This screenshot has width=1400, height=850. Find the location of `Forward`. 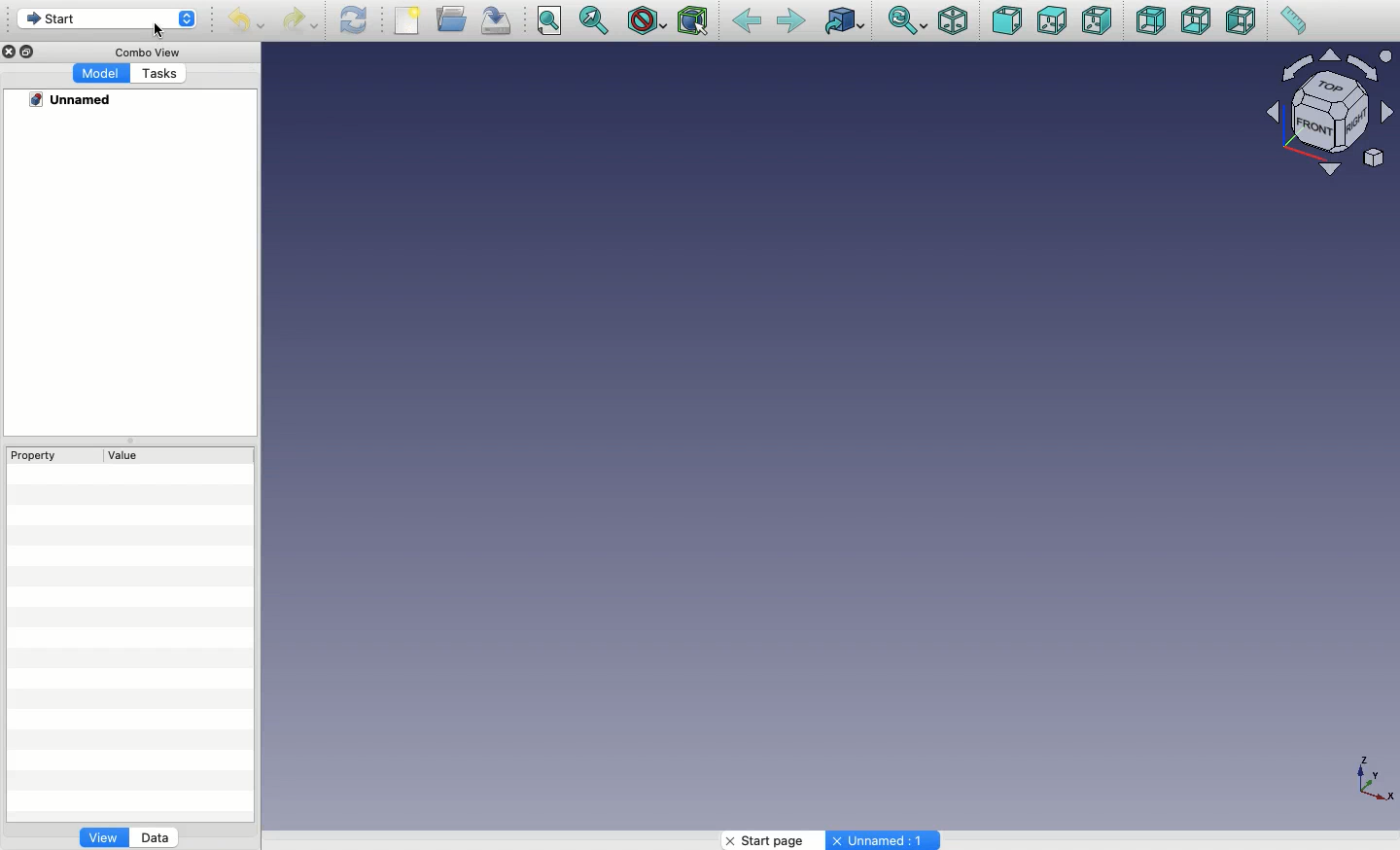

Forward is located at coordinates (791, 22).